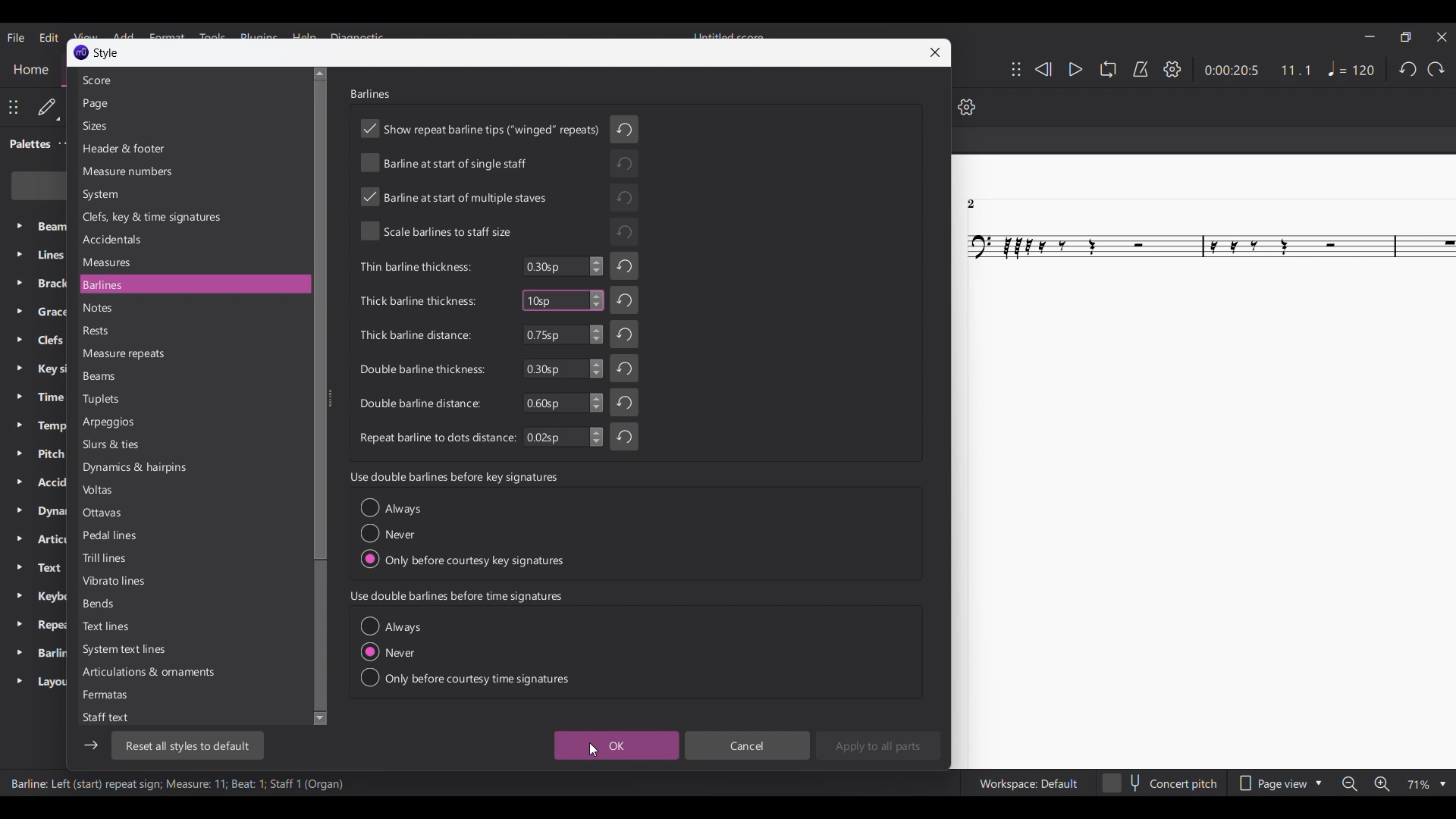 Image resolution: width=1456 pixels, height=819 pixels. Describe the element at coordinates (967, 106) in the screenshot. I see `Settings` at that location.